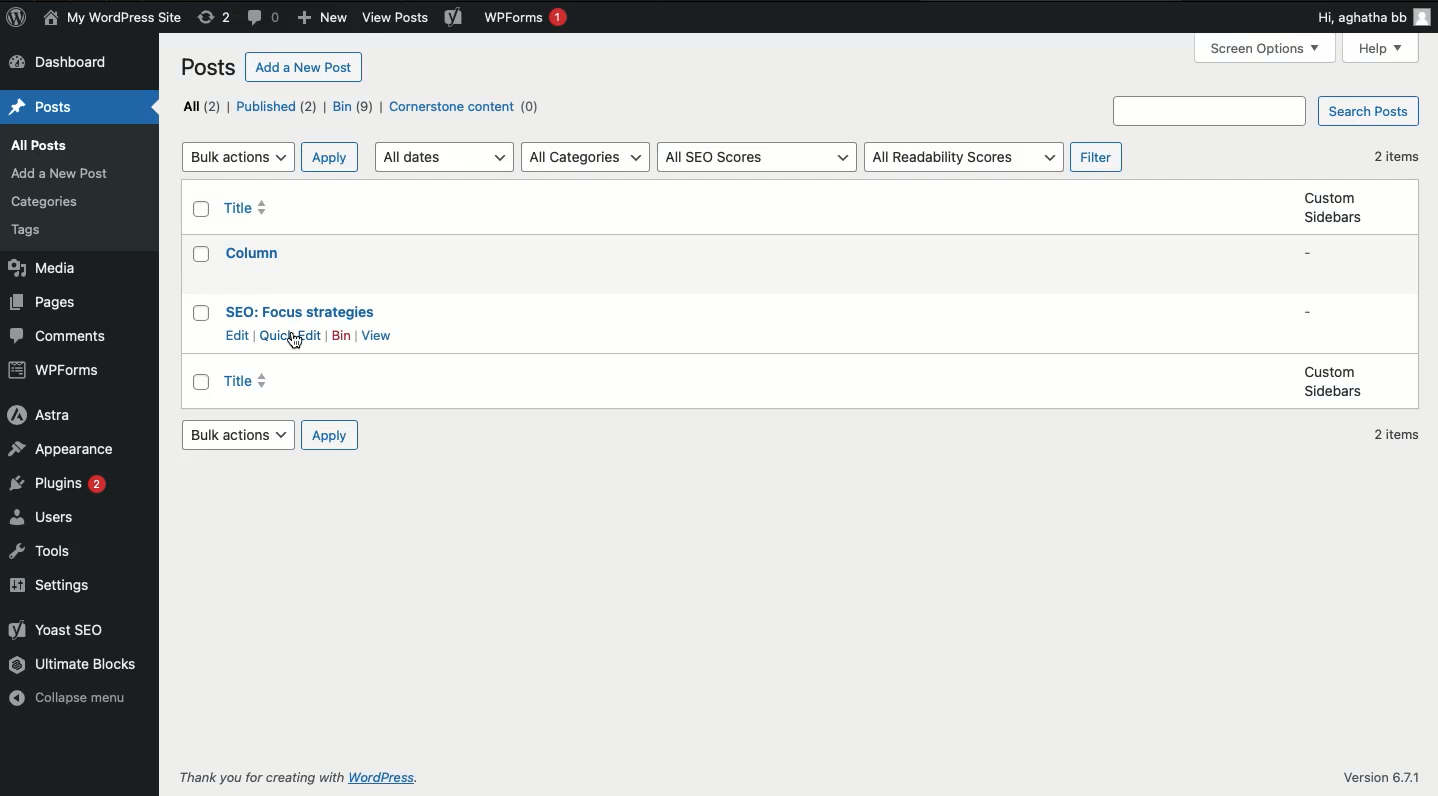 This screenshot has height=796, width=1438. What do you see at coordinates (1396, 436) in the screenshot?
I see `2 items` at bounding box center [1396, 436].